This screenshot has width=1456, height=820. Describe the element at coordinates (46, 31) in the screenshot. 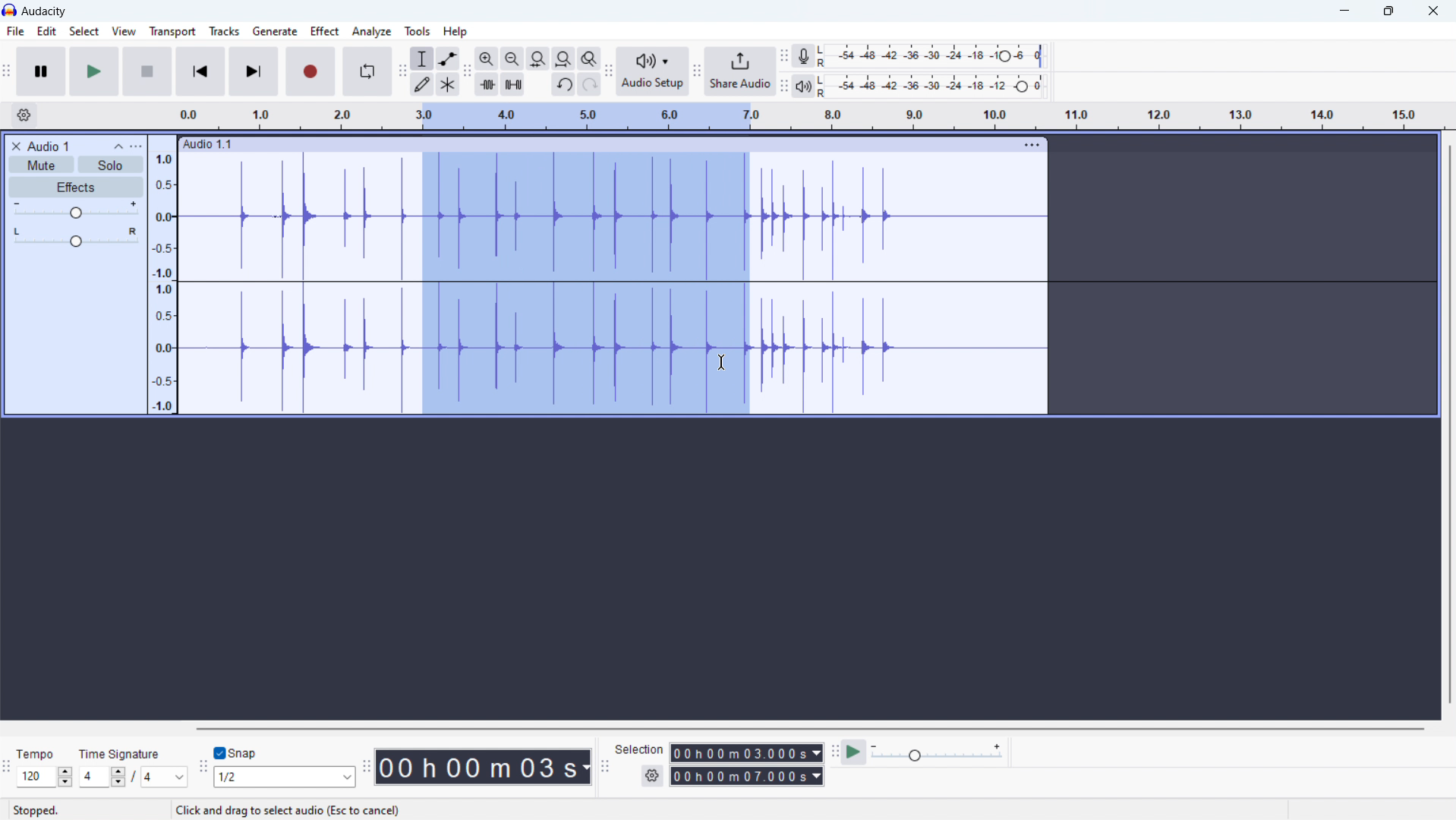

I see `edit` at that location.